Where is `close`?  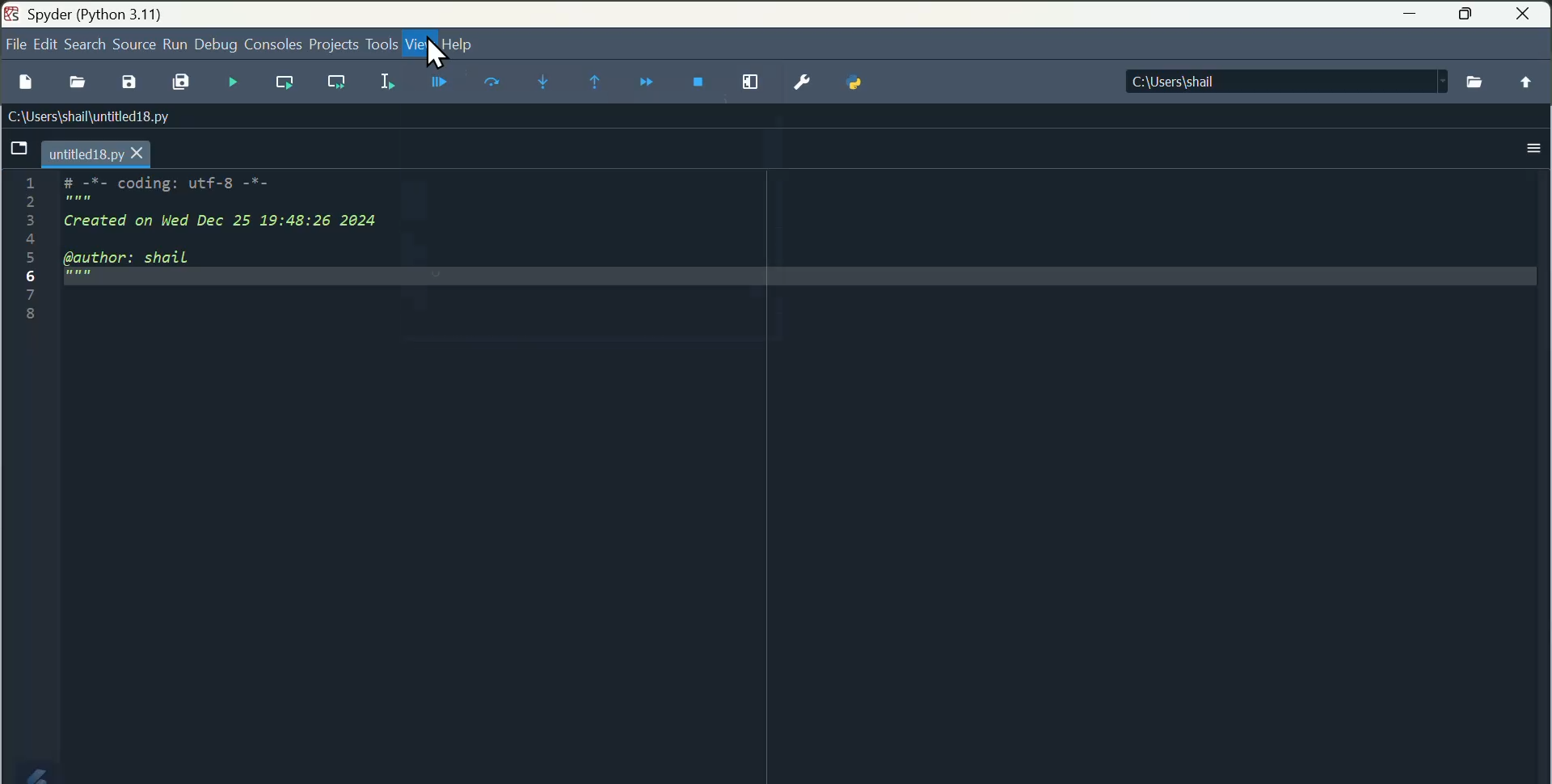
close is located at coordinates (1523, 15).